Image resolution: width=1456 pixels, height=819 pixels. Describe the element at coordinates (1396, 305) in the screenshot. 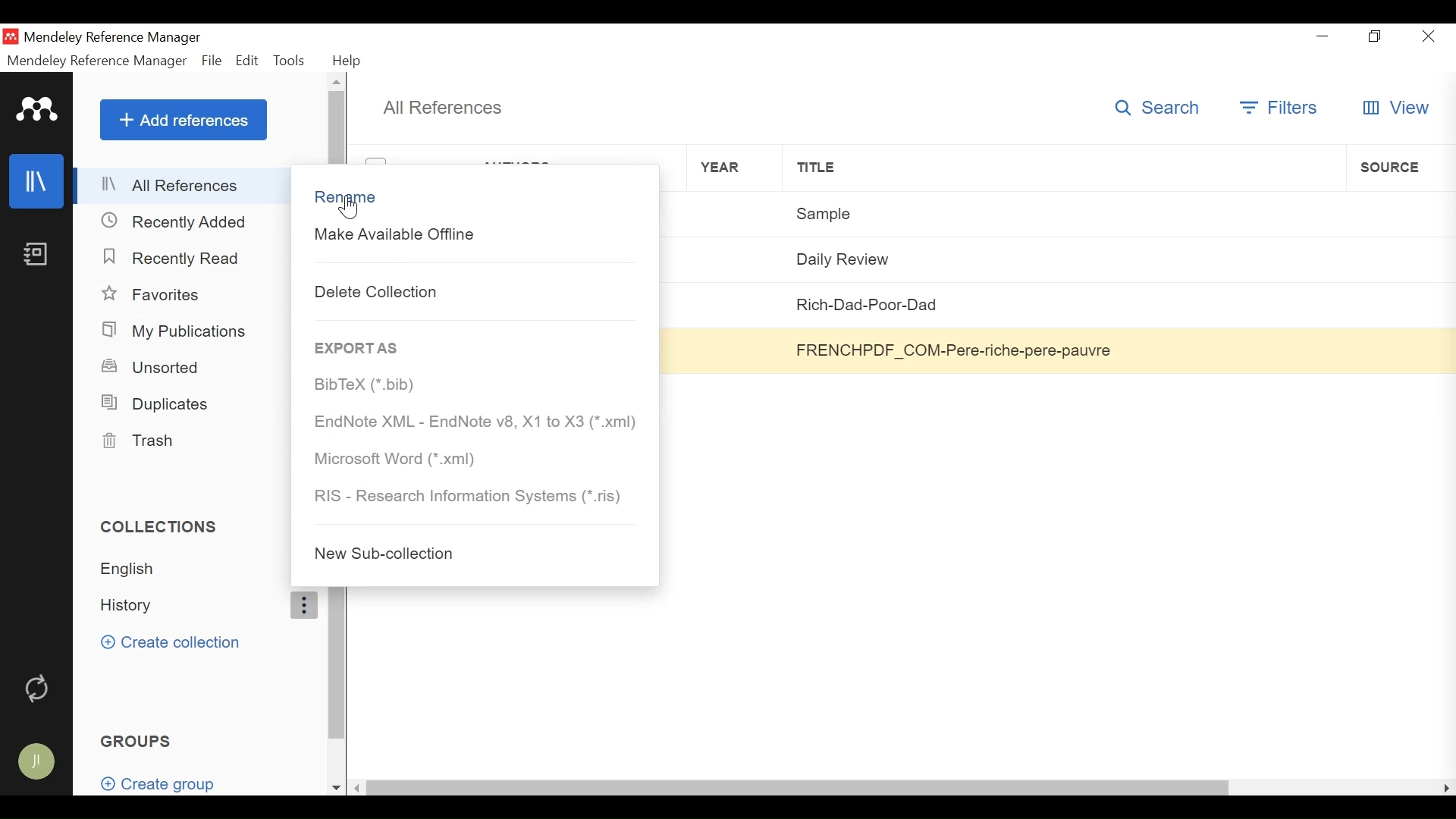

I see `Source` at that location.